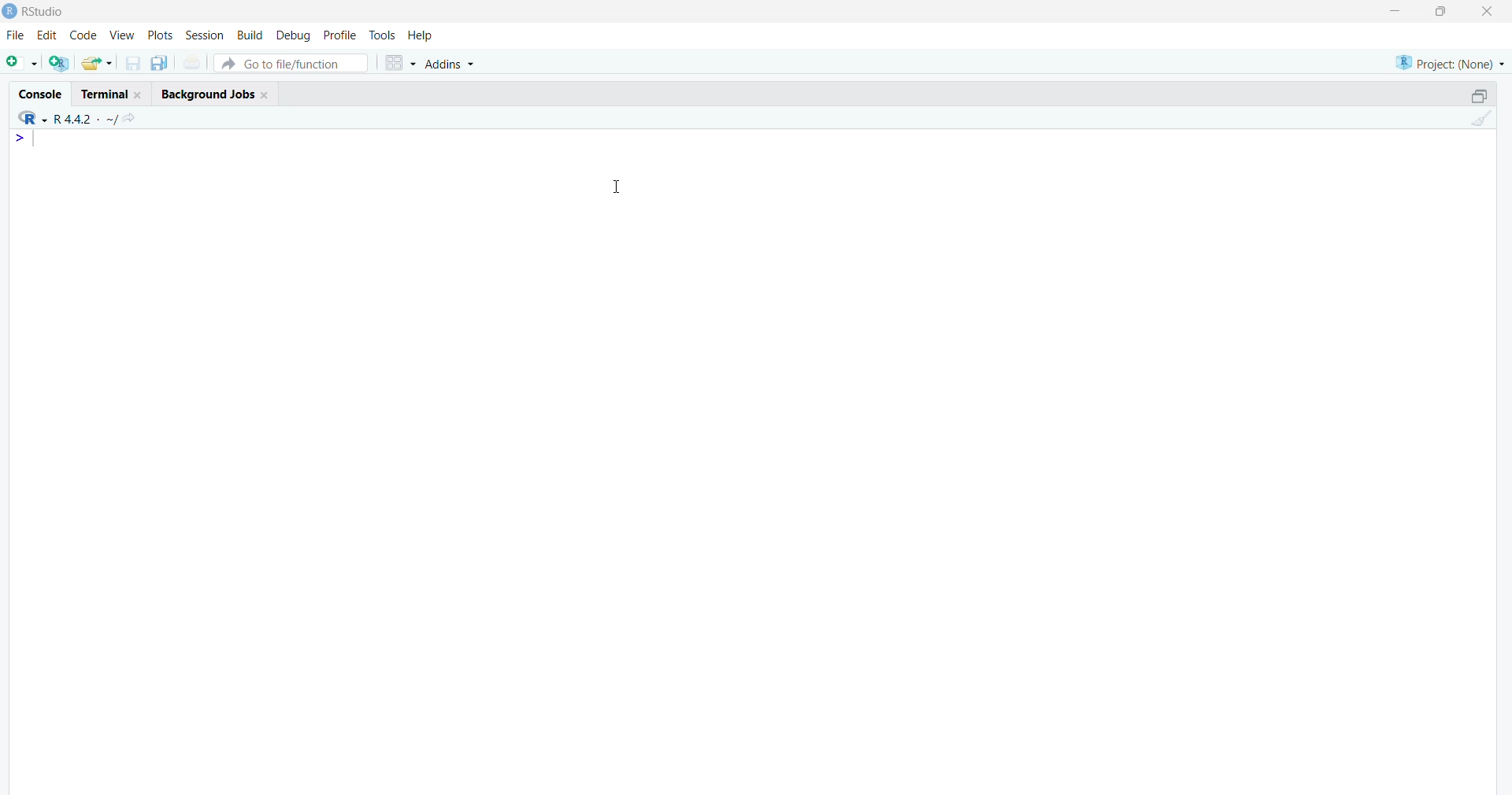 This screenshot has height=795, width=1512. What do you see at coordinates (48, 35) in the screenshot?
I see `edit` at bounding box center [48, 35].